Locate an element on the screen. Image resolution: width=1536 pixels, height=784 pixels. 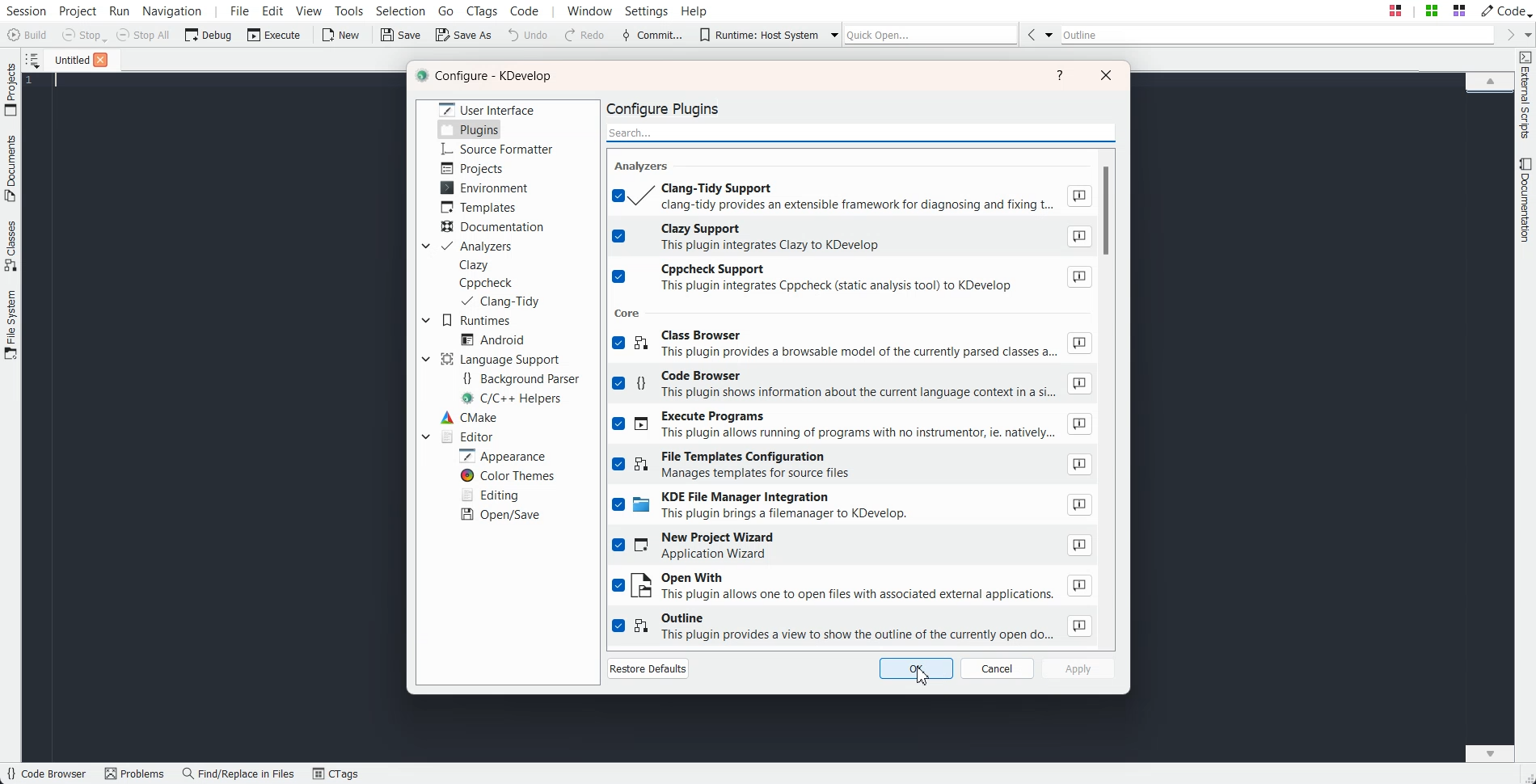
Save is located at coordinates (402, 35).